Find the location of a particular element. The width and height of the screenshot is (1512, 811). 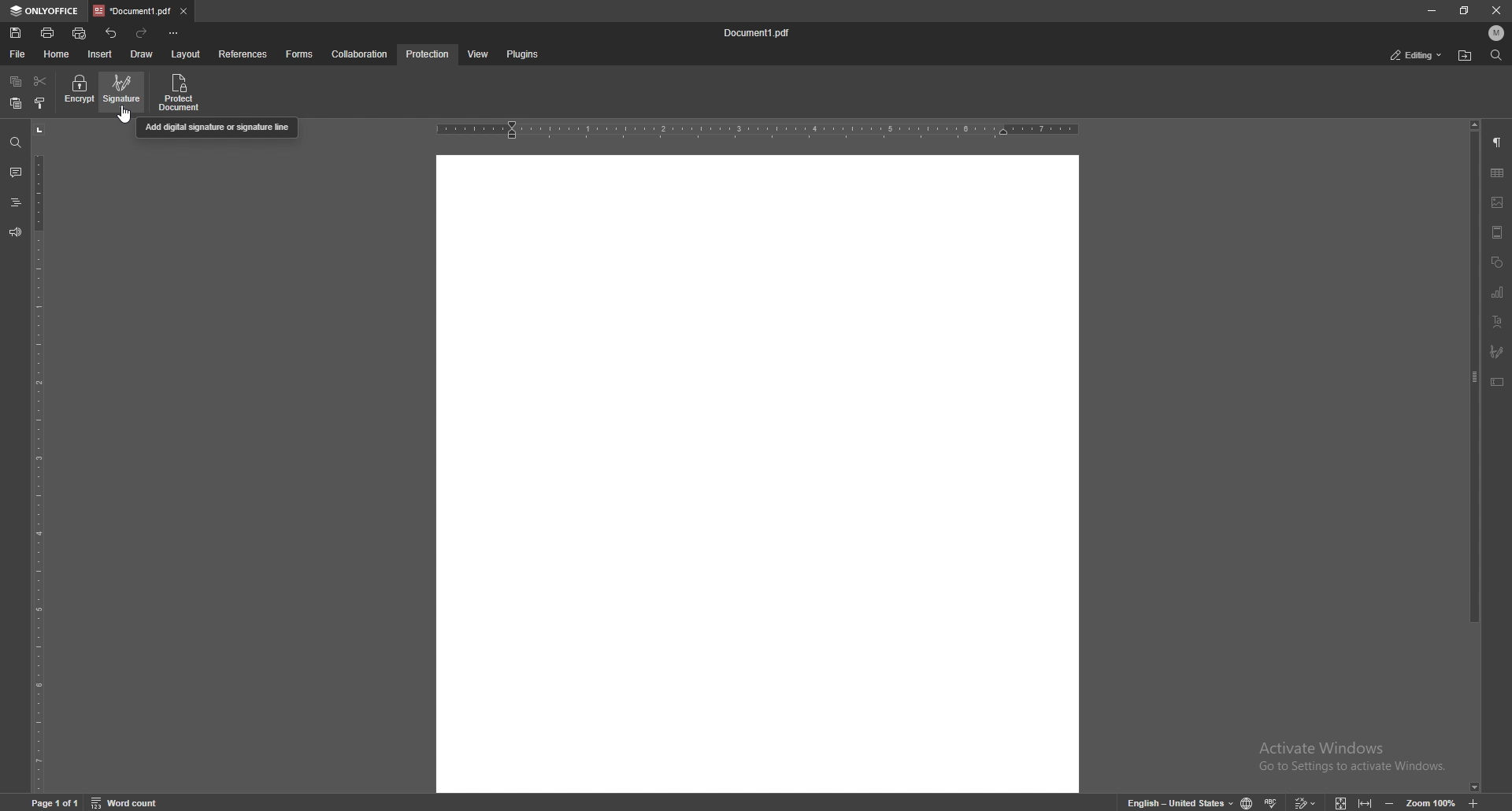

cut is located at coordinates (40, 82).